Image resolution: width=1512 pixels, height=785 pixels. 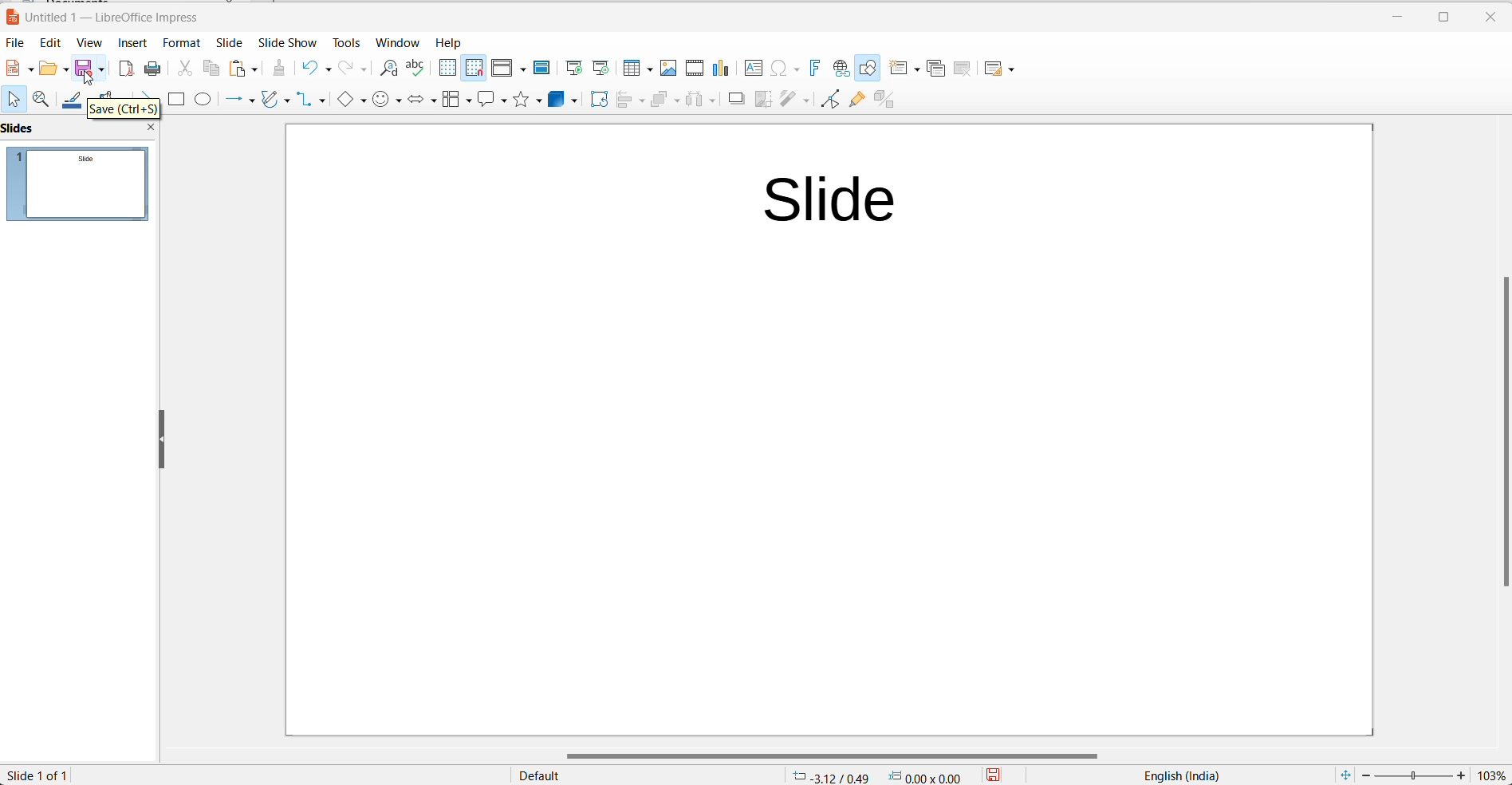 I want to click on insert fontwork text, so click(x=813, y=69).